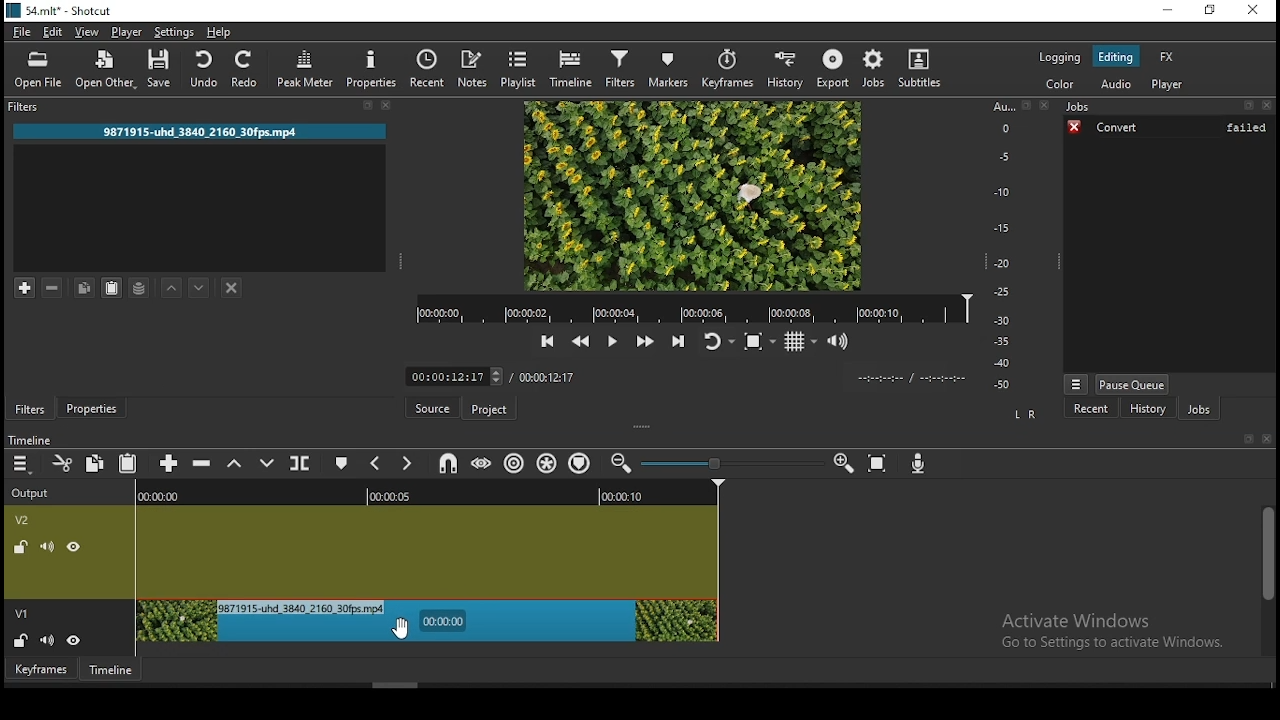 The width and height of the screenshot is (1280, 720). What do you see at coordinates (1163, 10) in the screenshot?
I see `minimize` at bounding box center [1163, 10].